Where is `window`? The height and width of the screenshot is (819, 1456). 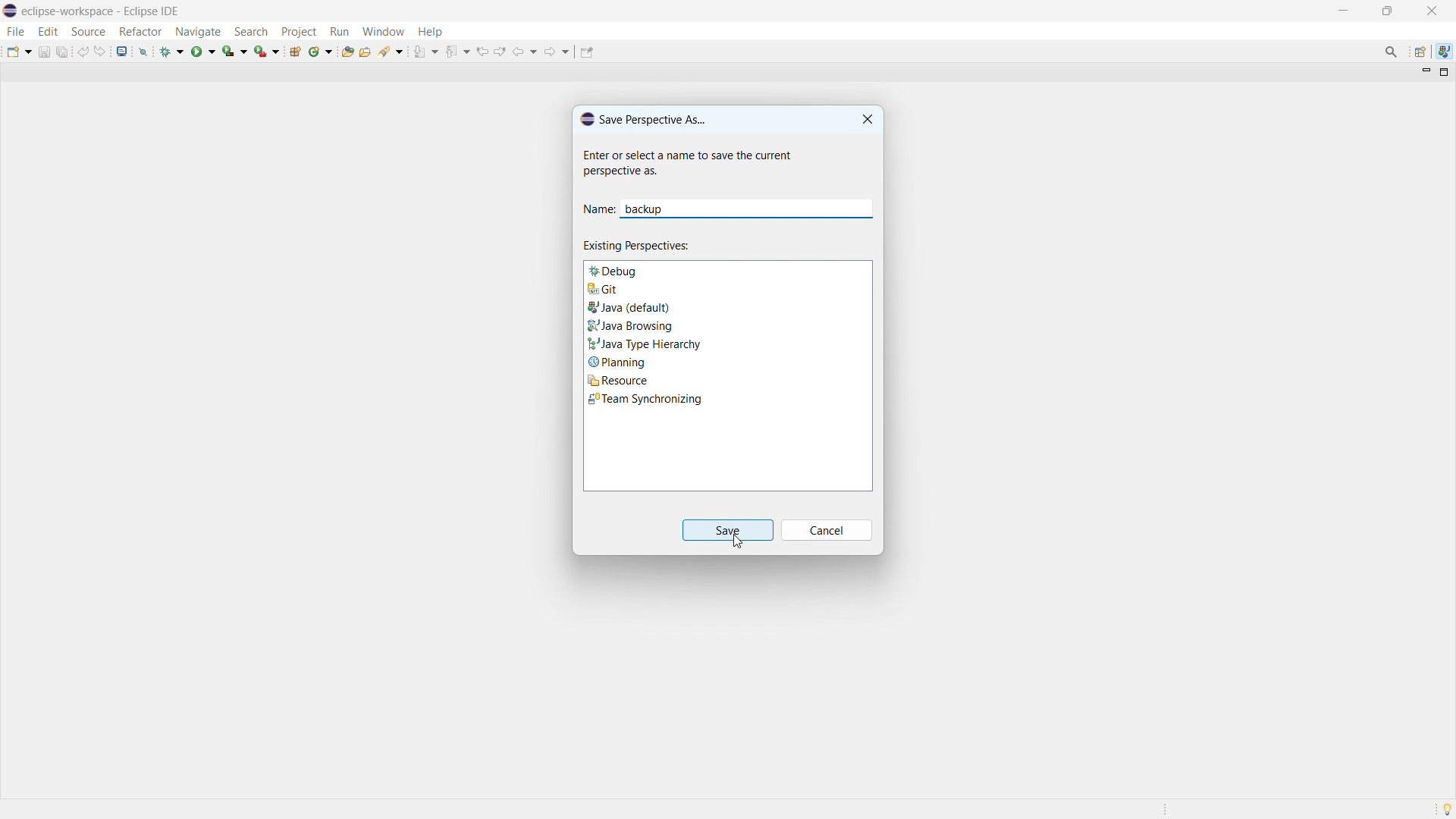 window is located at coordinates (383, 31).